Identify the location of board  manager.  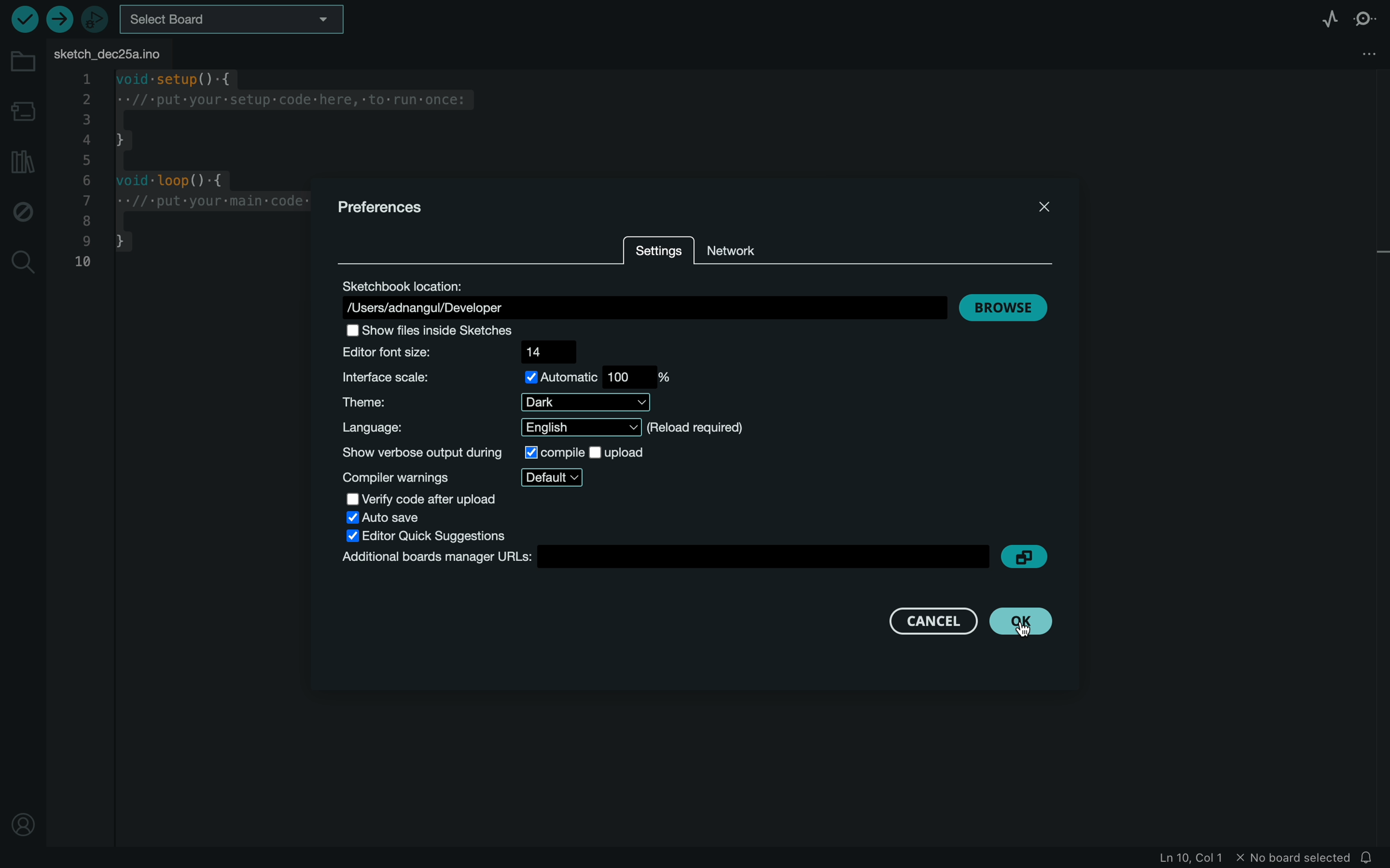
(664, 559).